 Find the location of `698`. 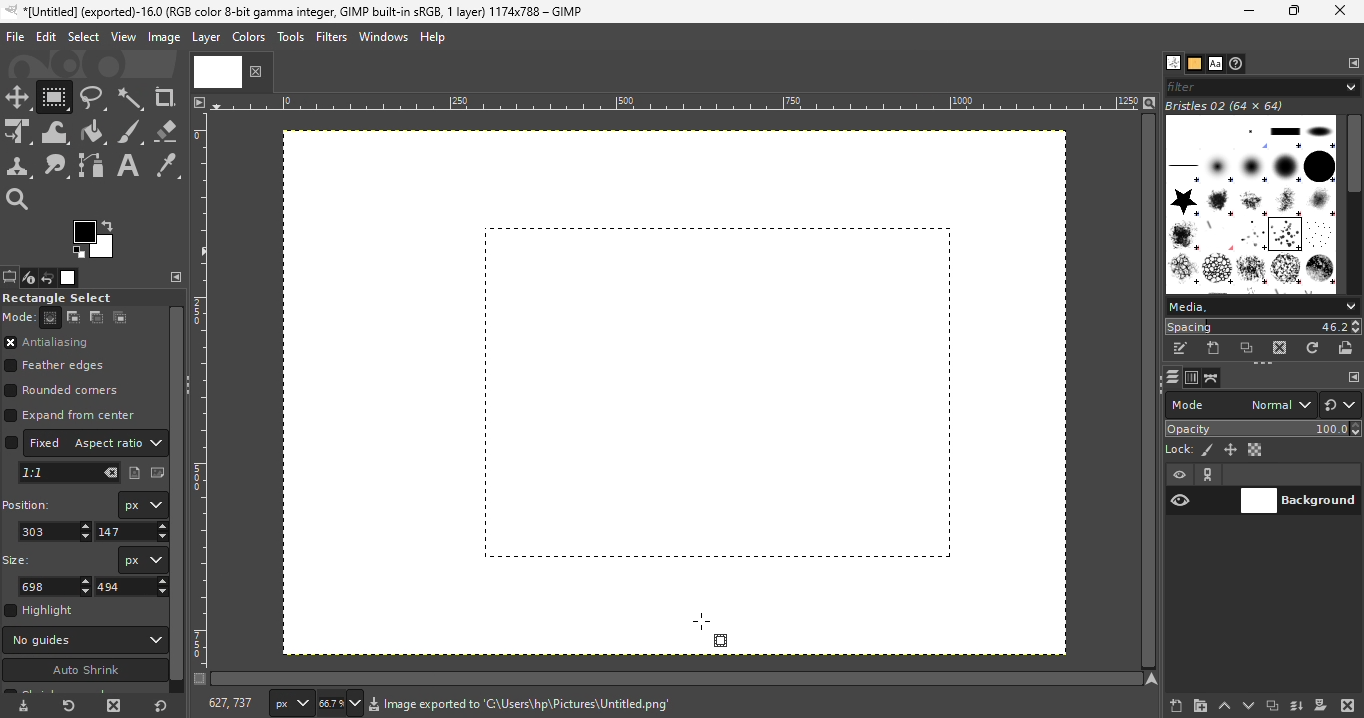

698 is located at coordinates (56, 587).